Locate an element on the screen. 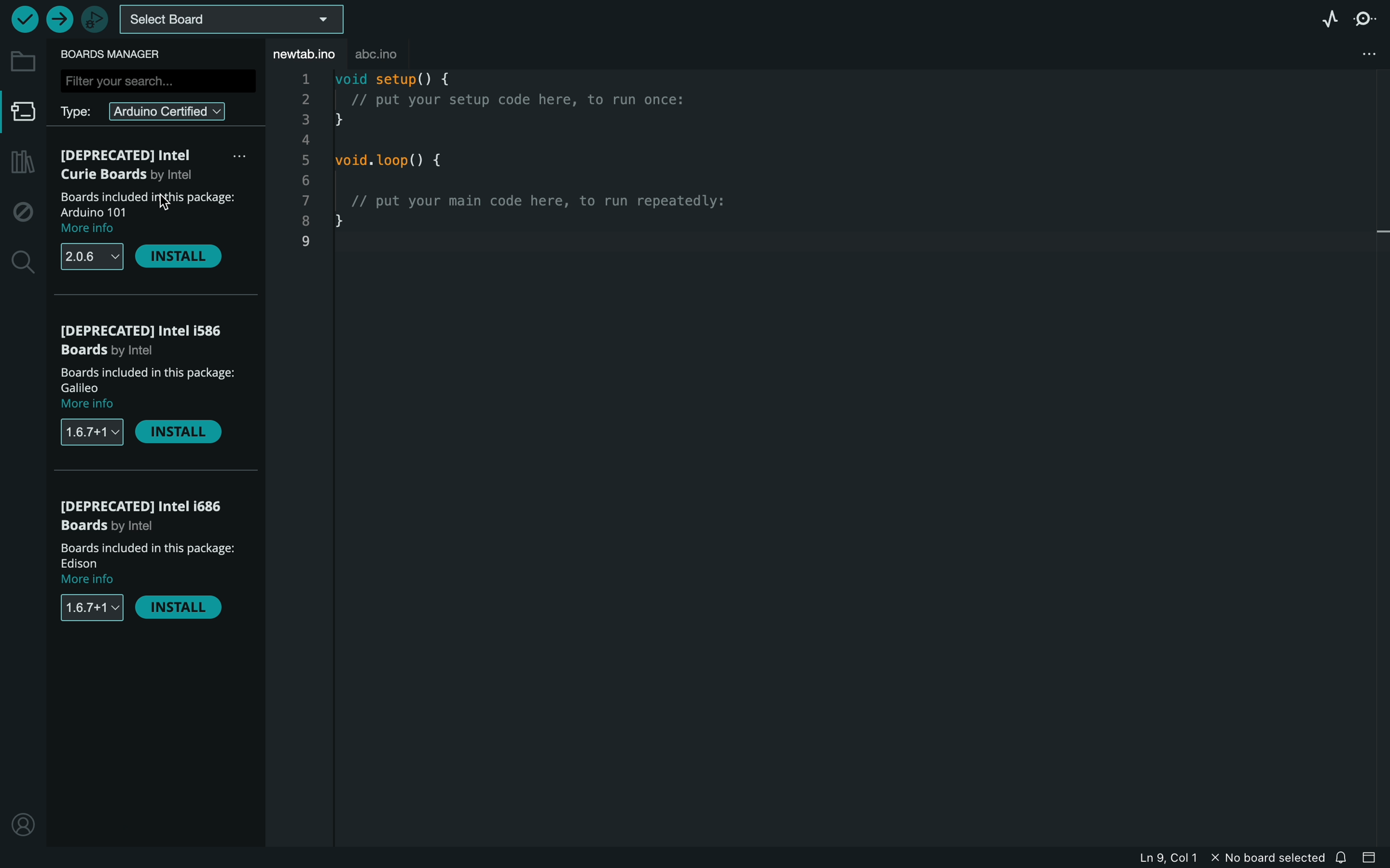 This screenshot has height=868, width=1390. debug is located at coordinates (20, 208).